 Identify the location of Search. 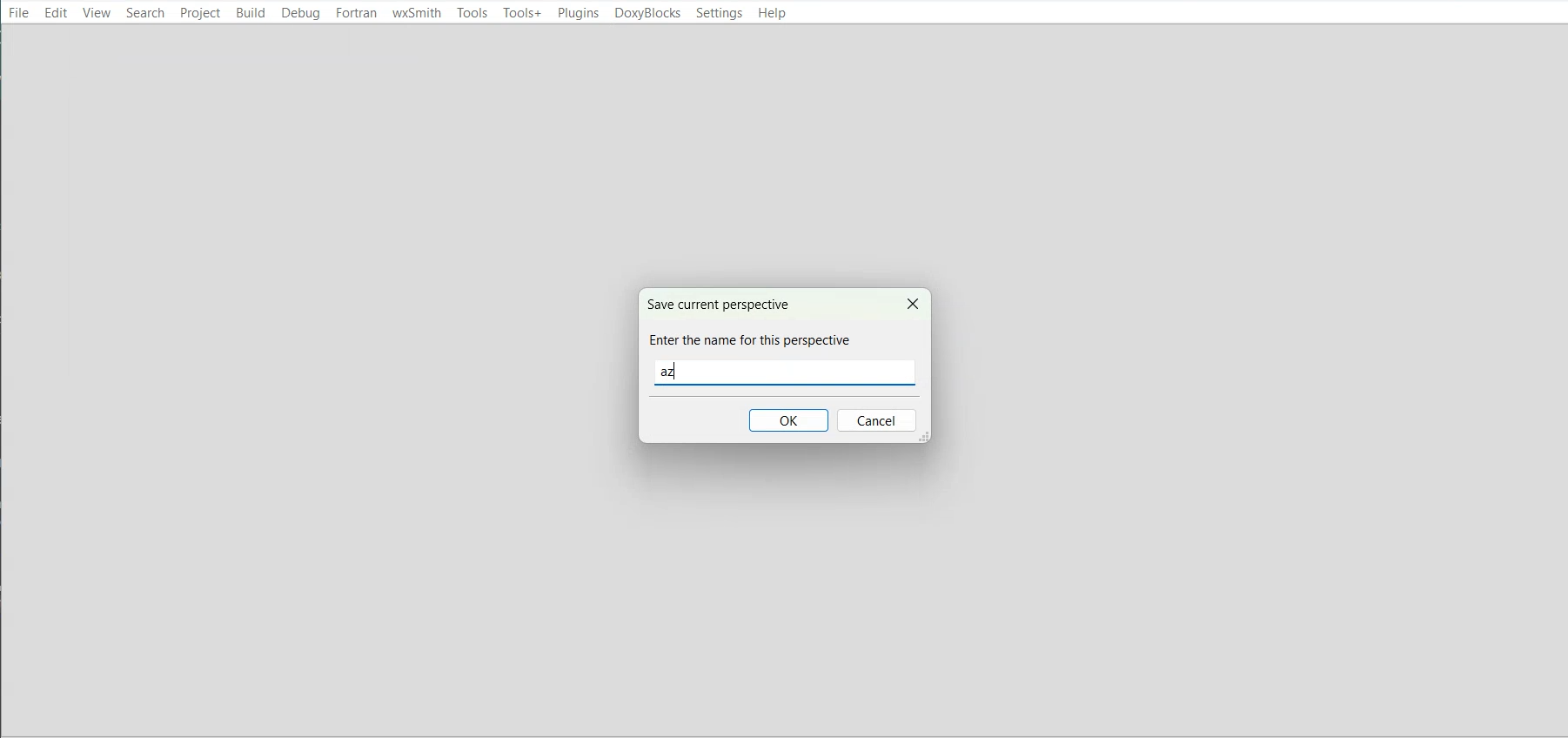
(145, 12).